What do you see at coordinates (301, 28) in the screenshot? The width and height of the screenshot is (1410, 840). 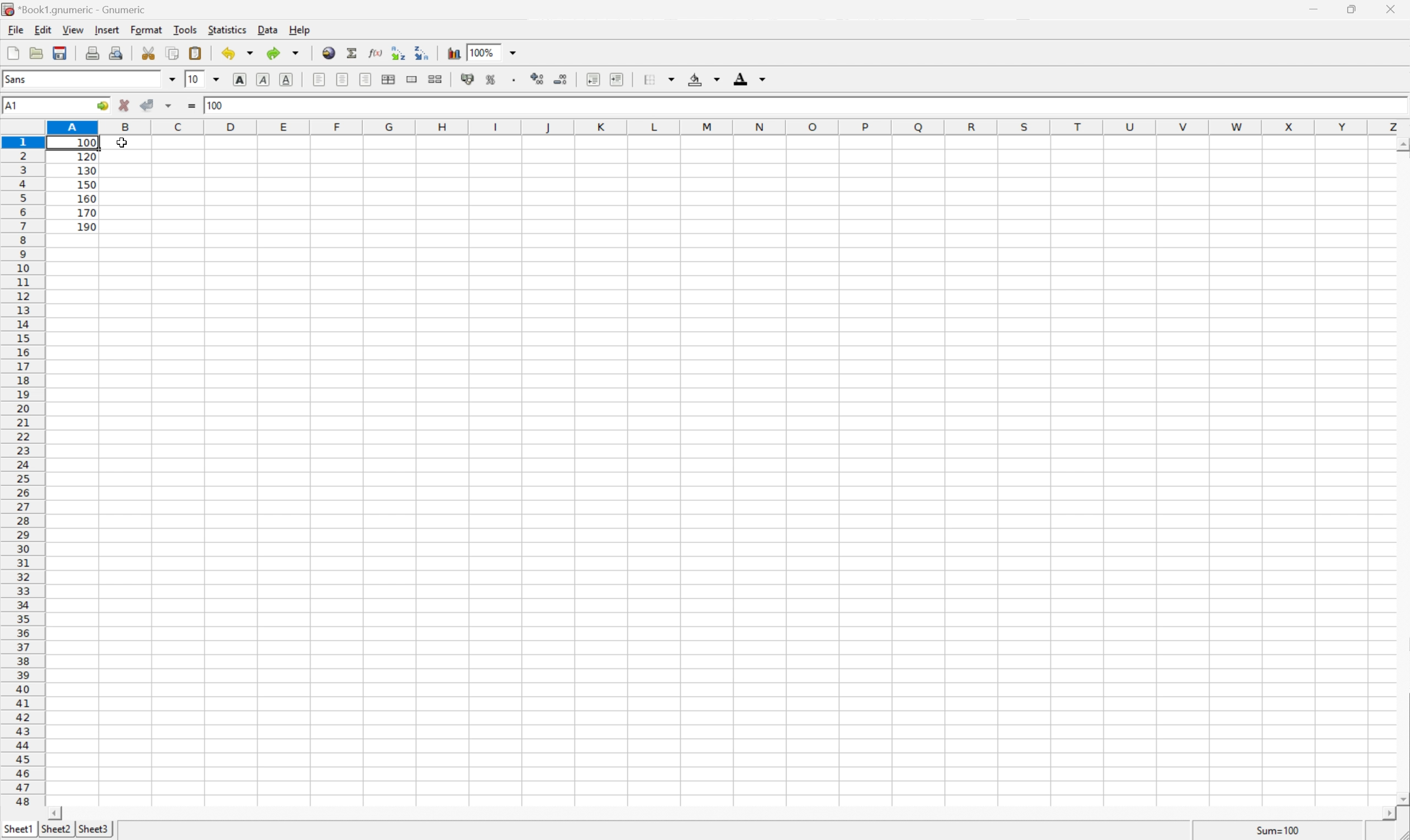 I see `Help` at bounding box center [301, 28].